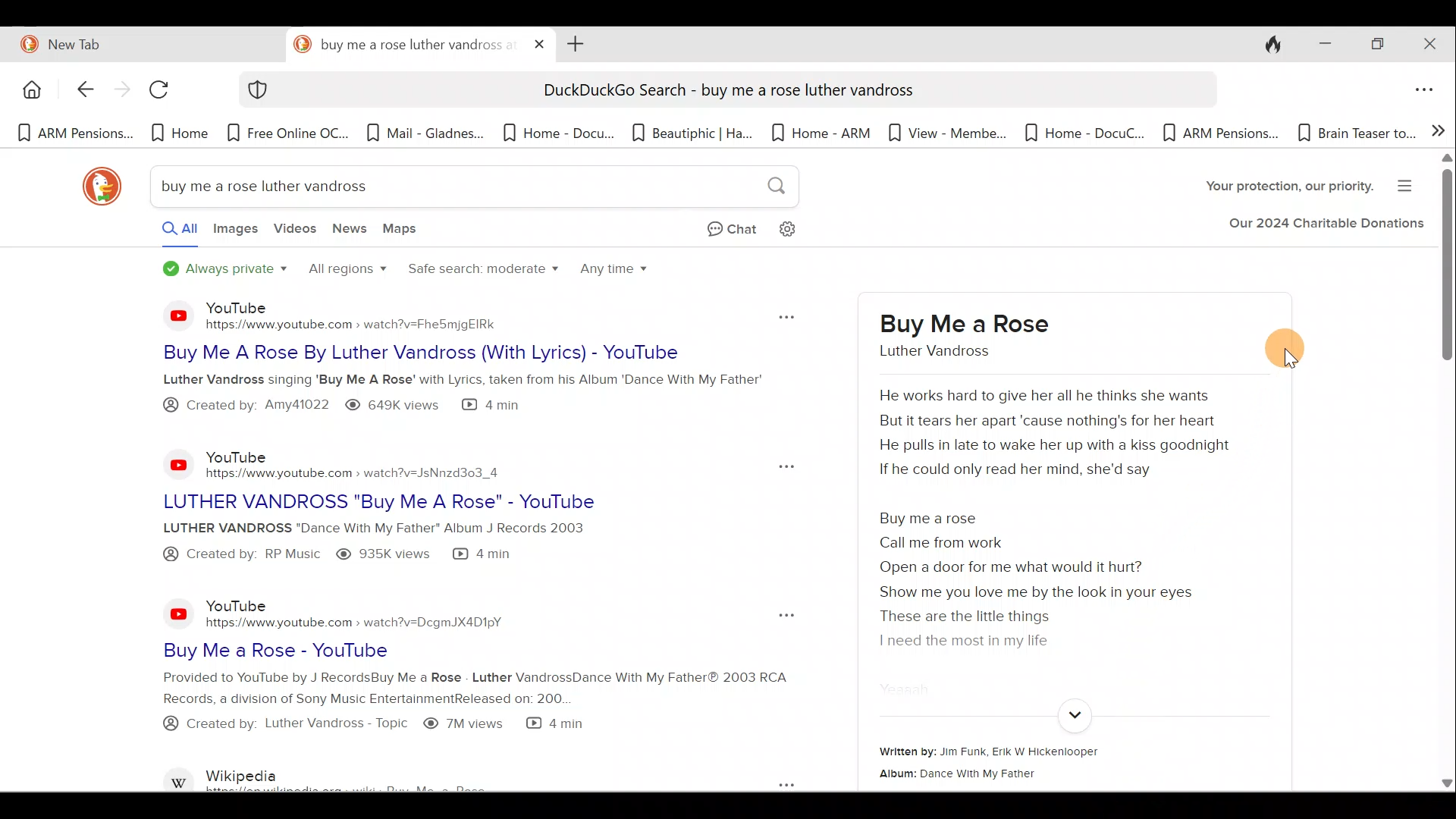  What do you see at coordinates (1285, 345) in the screenshot?
I see `Cursor` at bounding box center [1285, 345].